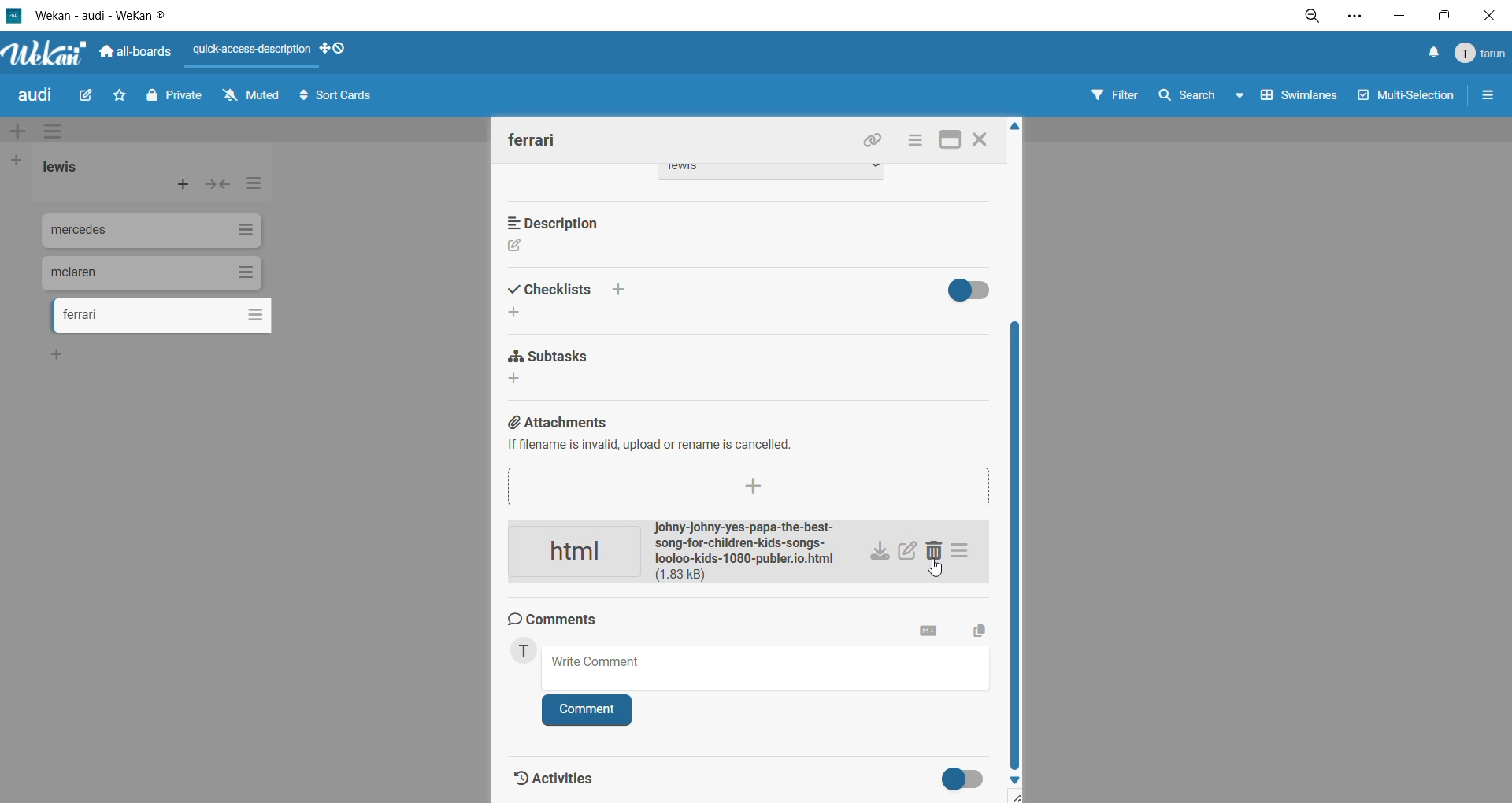 This screenshot has width=1512, height=803. I want to click on list actions, so click(251, 187).